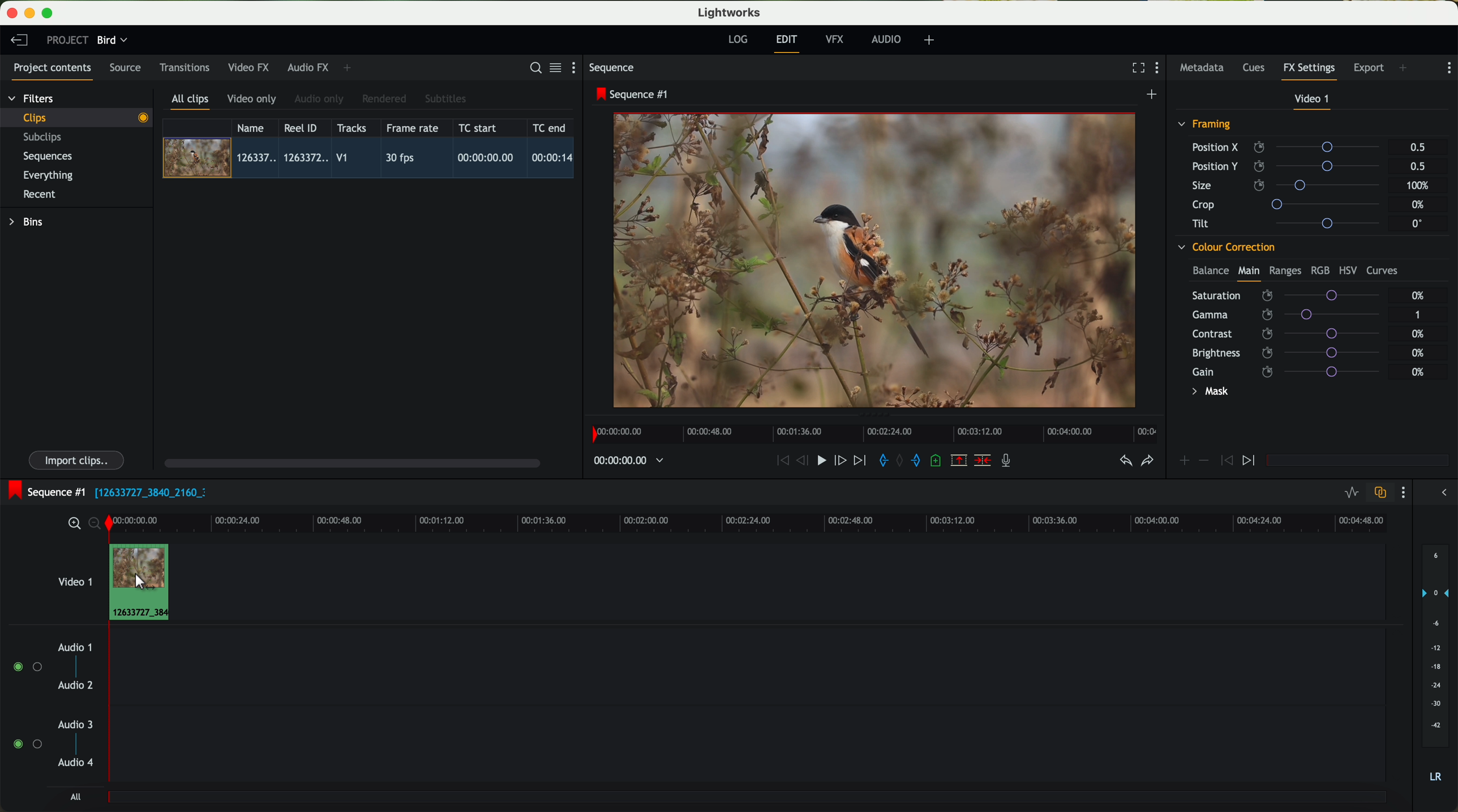  Describe the element at coordinates (1153, 95) in the screenshot. I see `create a new sequence` at that location.